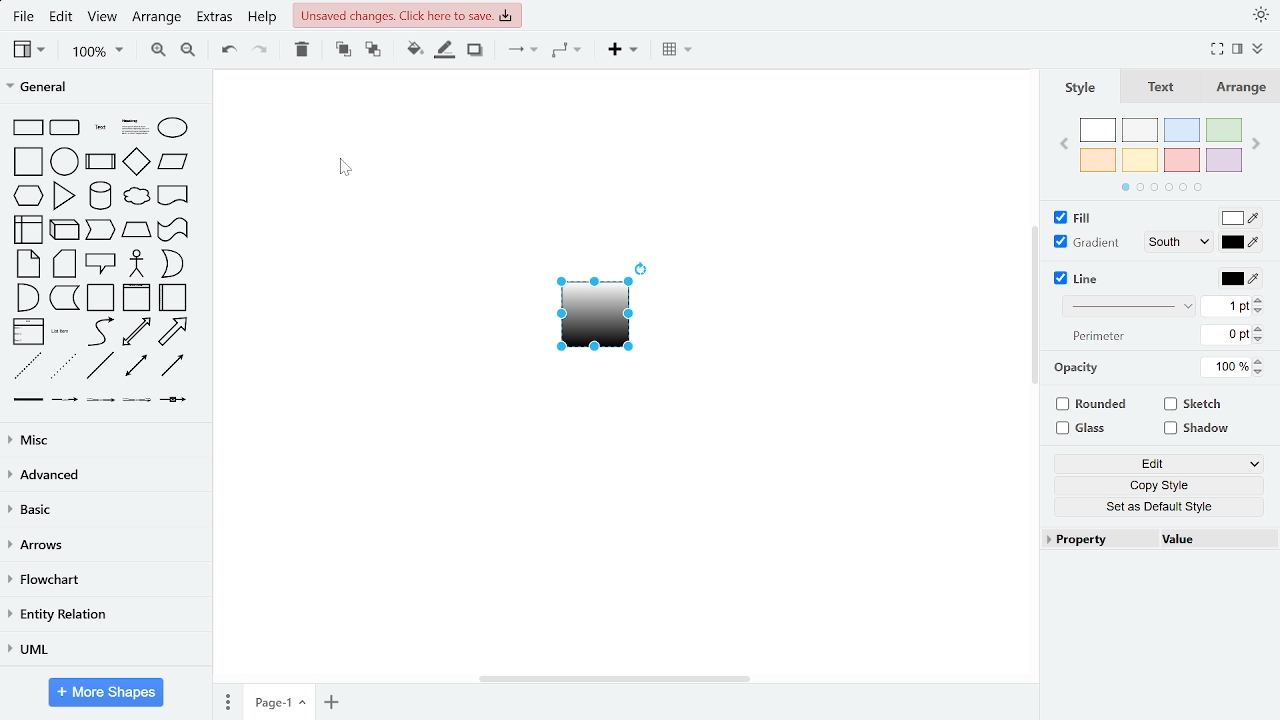 The height and width of the screenshot is (720, 1280). What do you see at coordinates (1182, 243) in the screenshot?
I see `south` at bounding box center [1182, 243].